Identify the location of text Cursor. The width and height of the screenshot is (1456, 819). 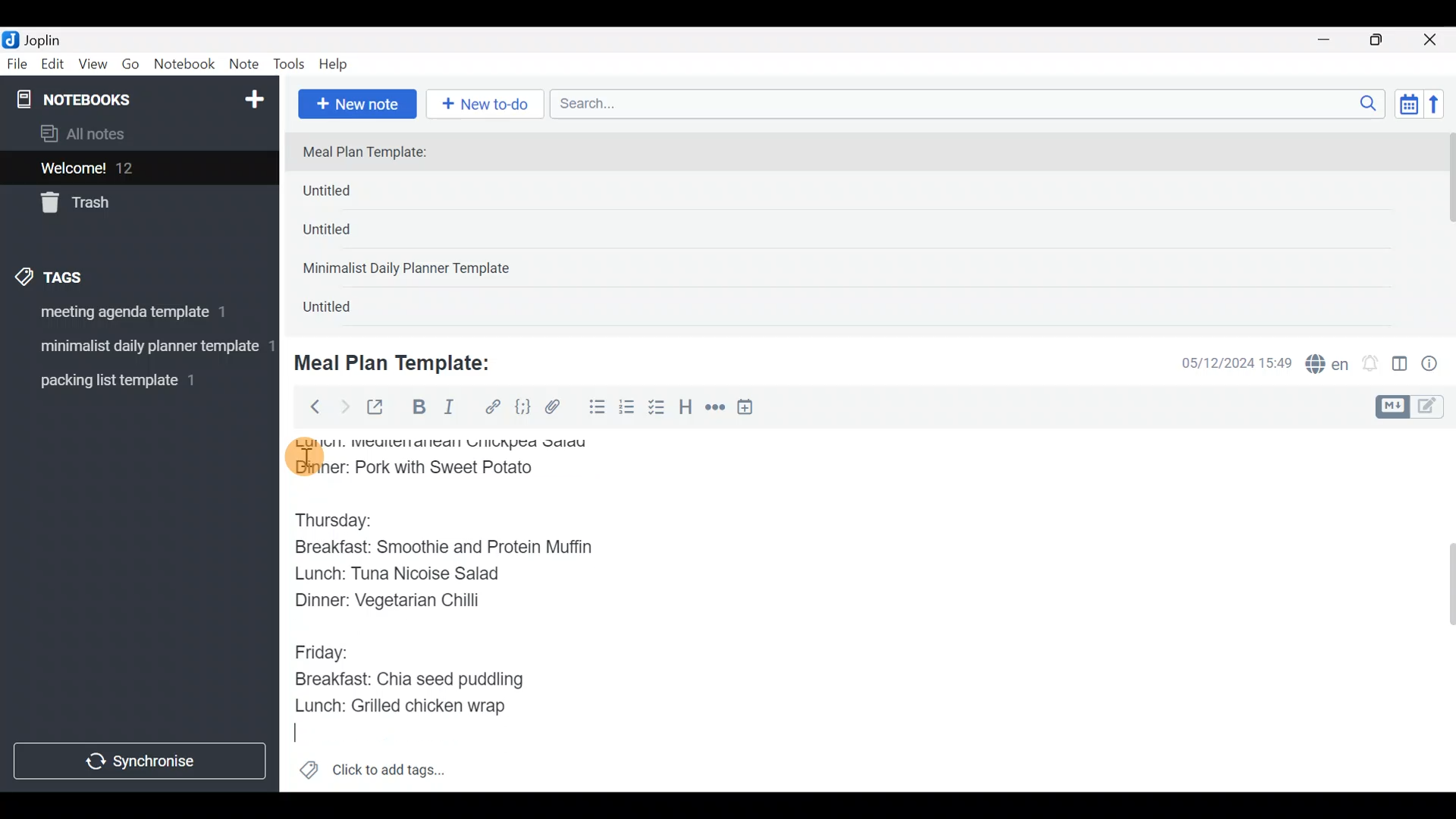
(308, 737).